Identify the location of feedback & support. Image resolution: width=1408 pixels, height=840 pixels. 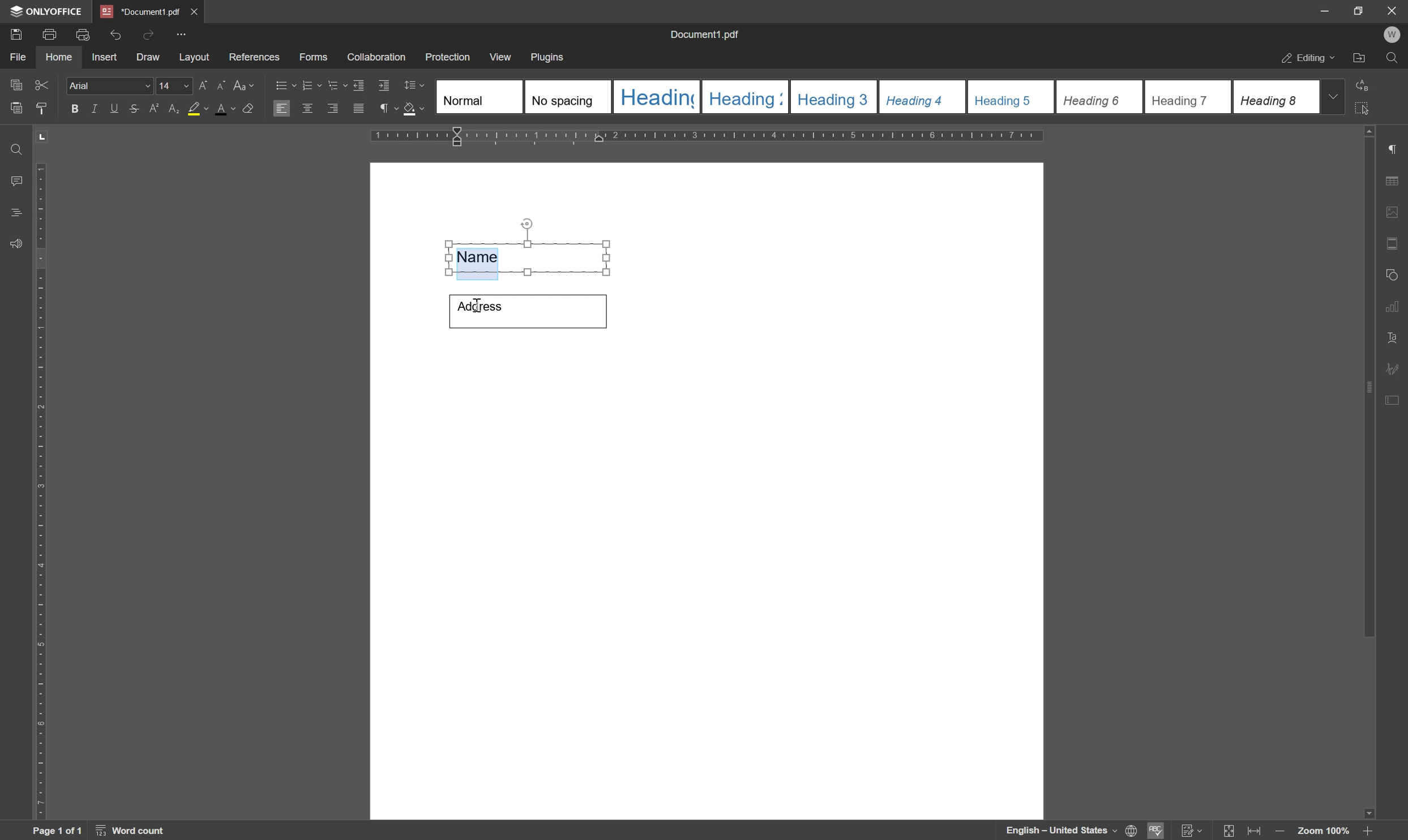
(16, 245).